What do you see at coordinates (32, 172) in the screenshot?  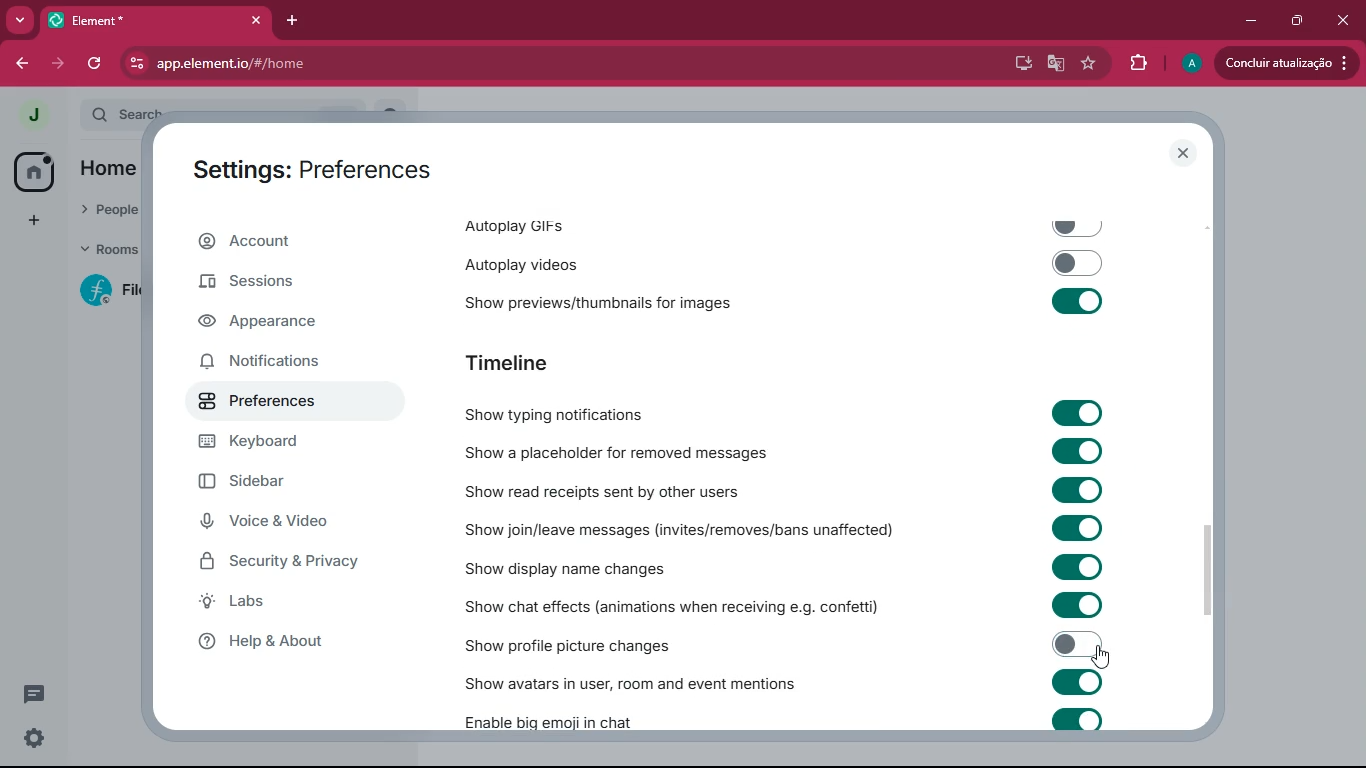 I see `home` at bounding box center [32, 172].